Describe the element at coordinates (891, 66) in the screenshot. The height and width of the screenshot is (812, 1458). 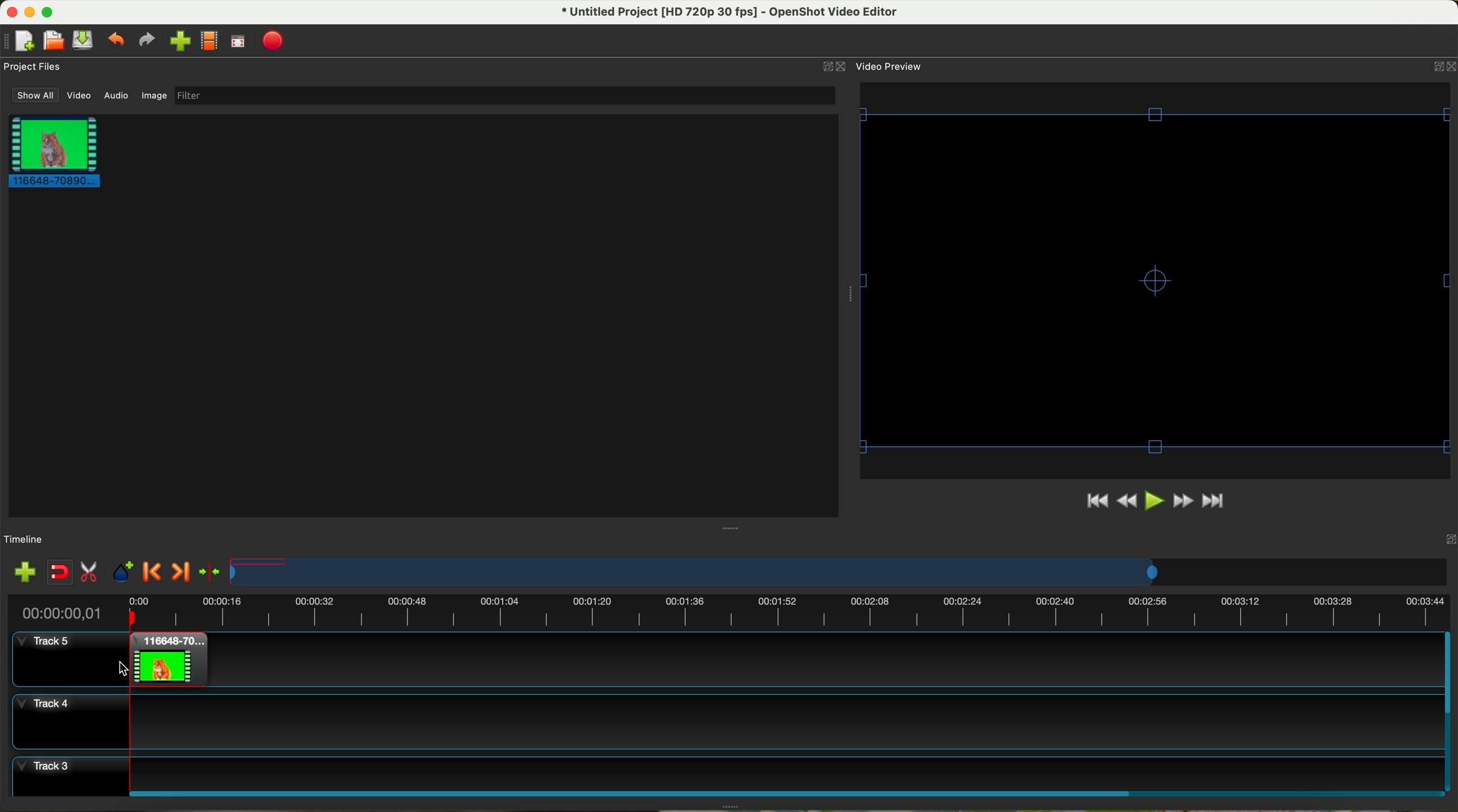
I see `video preview` at that location.